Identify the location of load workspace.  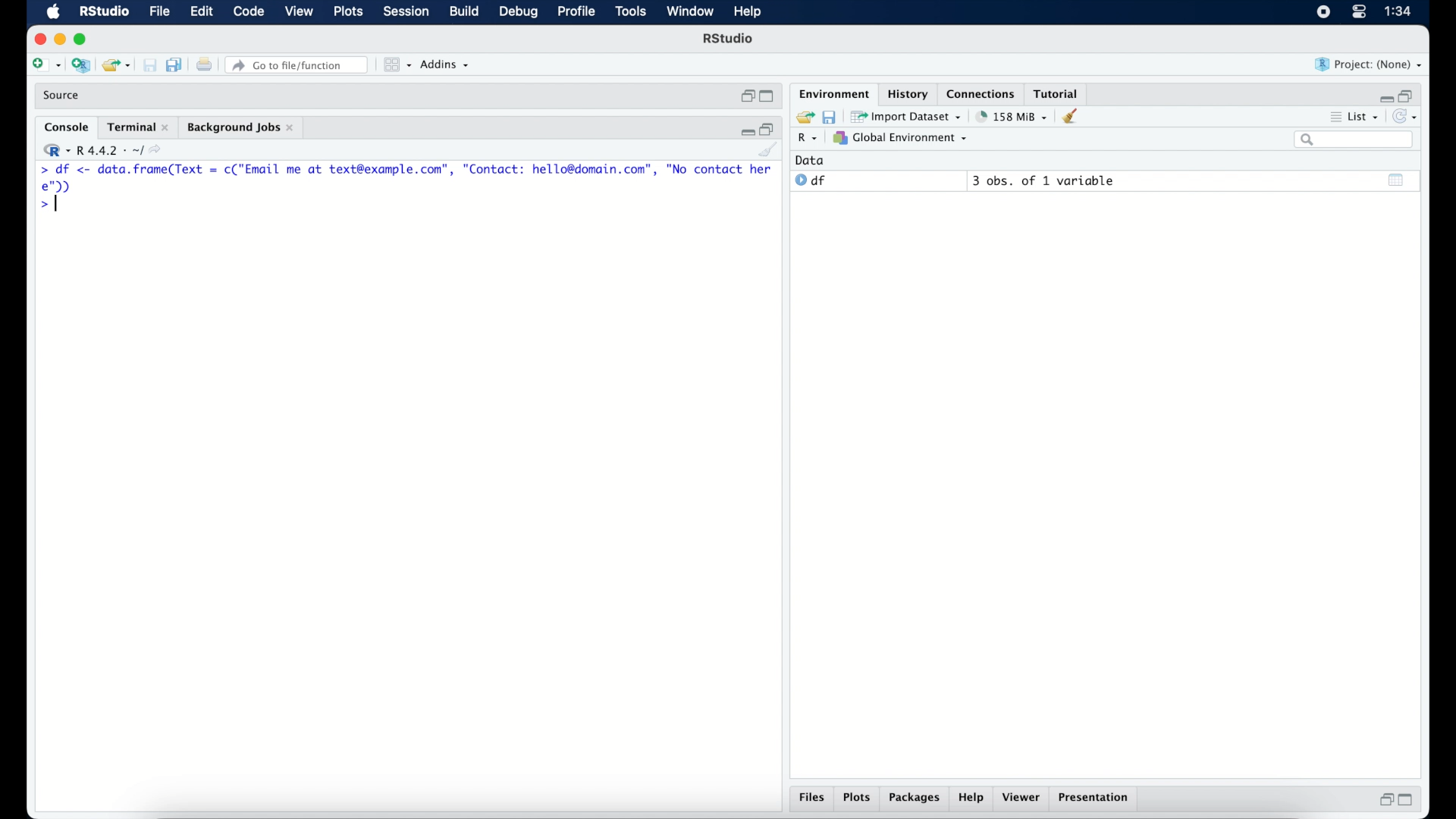
(805, 115).